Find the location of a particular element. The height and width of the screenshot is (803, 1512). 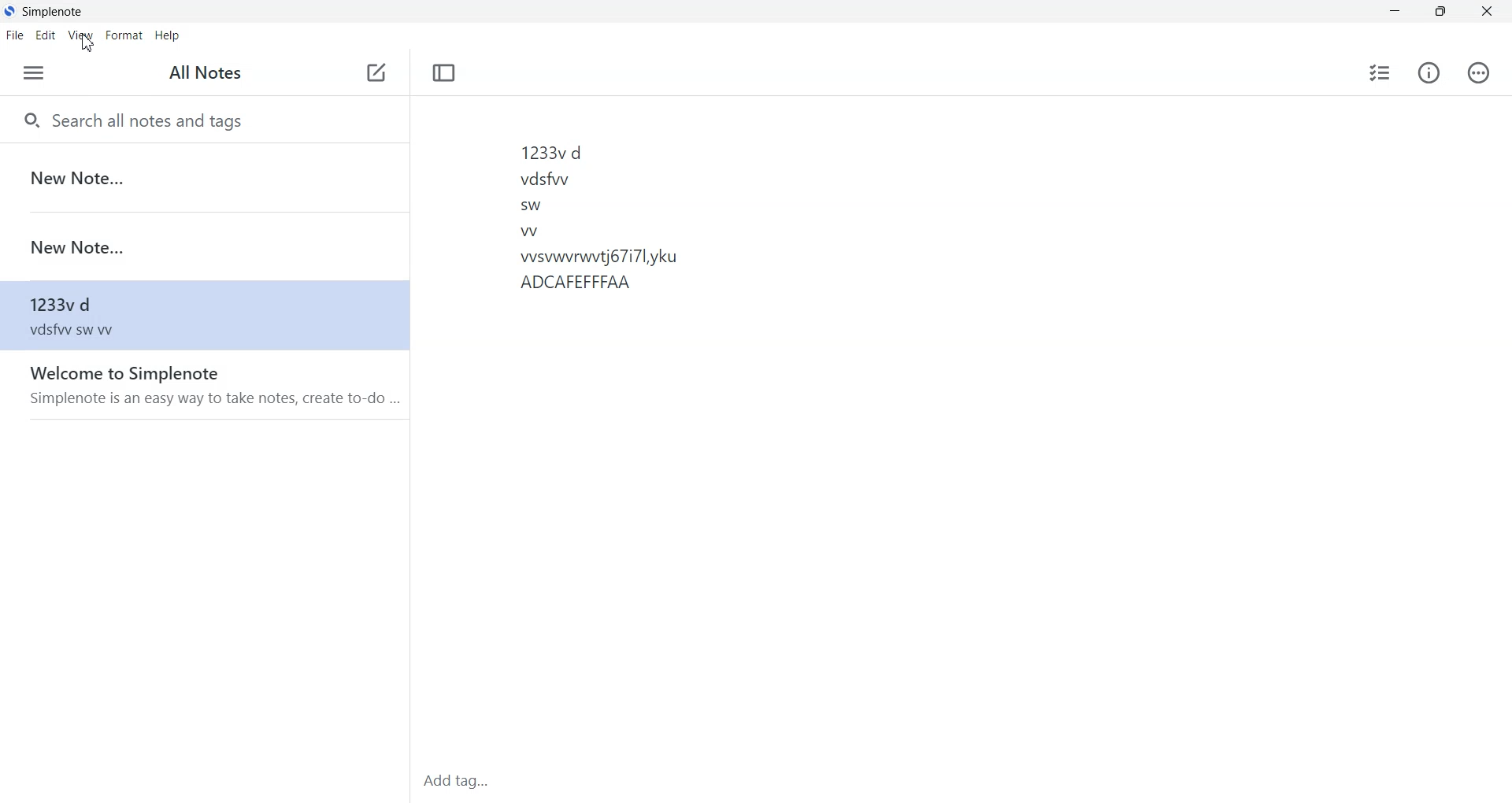

New Note is located at coordinates (201, 176).